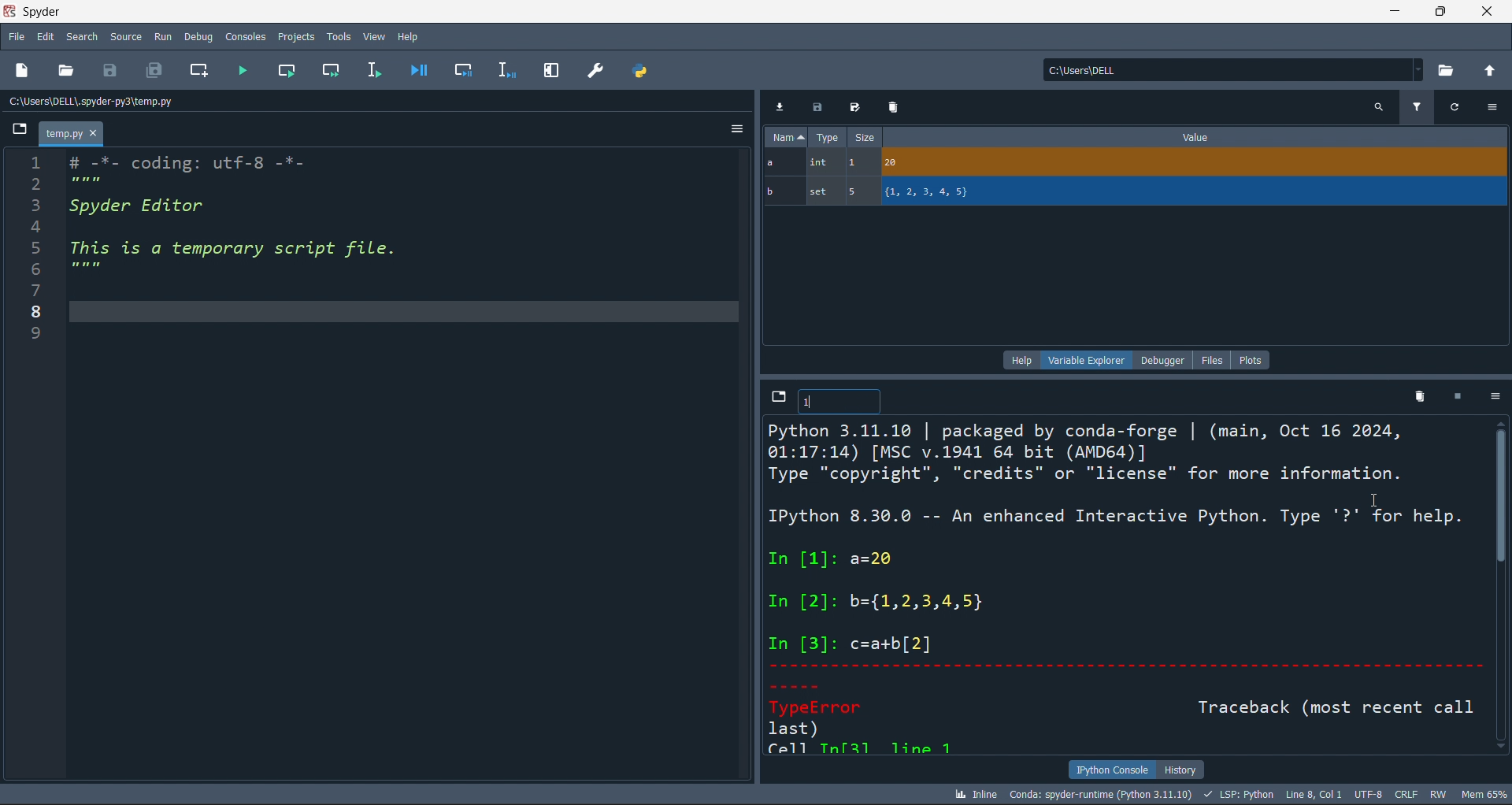 This screenshot has width=1512, height=805. Describe the element at coordinates (1216, 359) in the screenshot. I see `file` at that location.